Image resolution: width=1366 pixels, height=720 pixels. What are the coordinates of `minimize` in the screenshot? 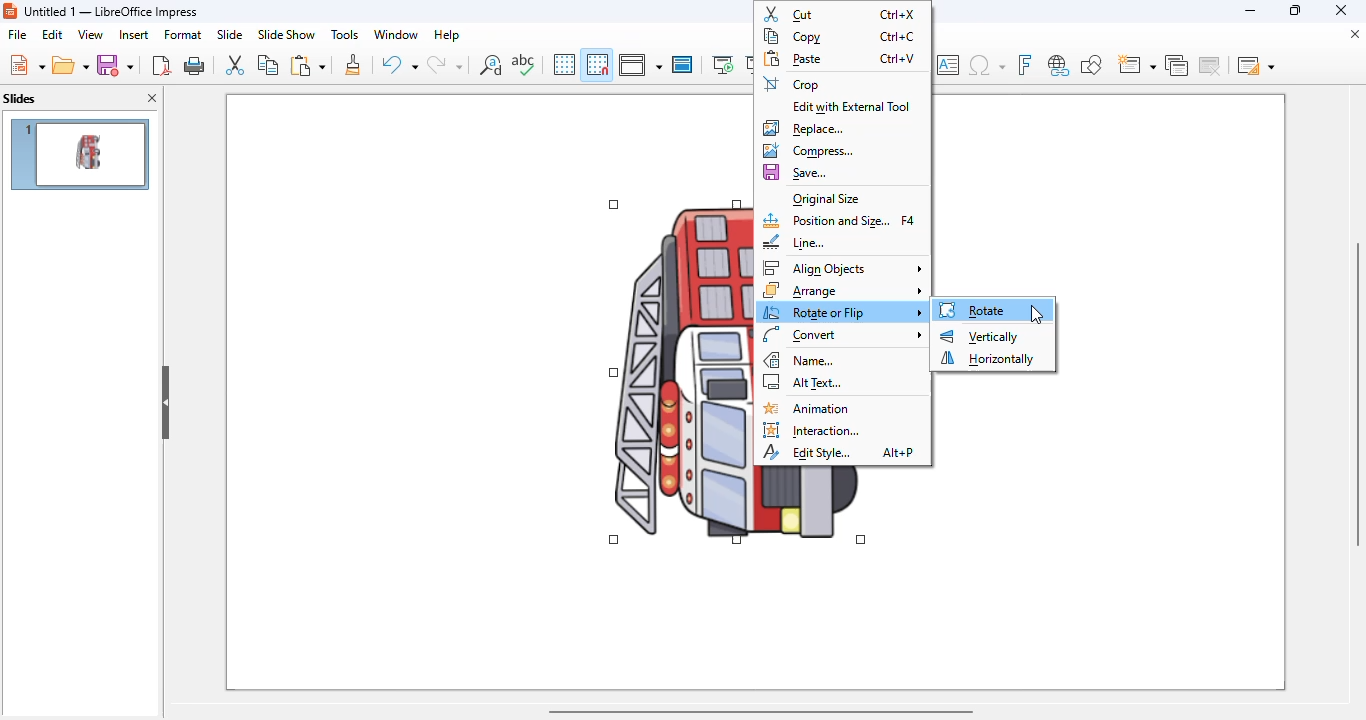 It's located at (1251, 10).